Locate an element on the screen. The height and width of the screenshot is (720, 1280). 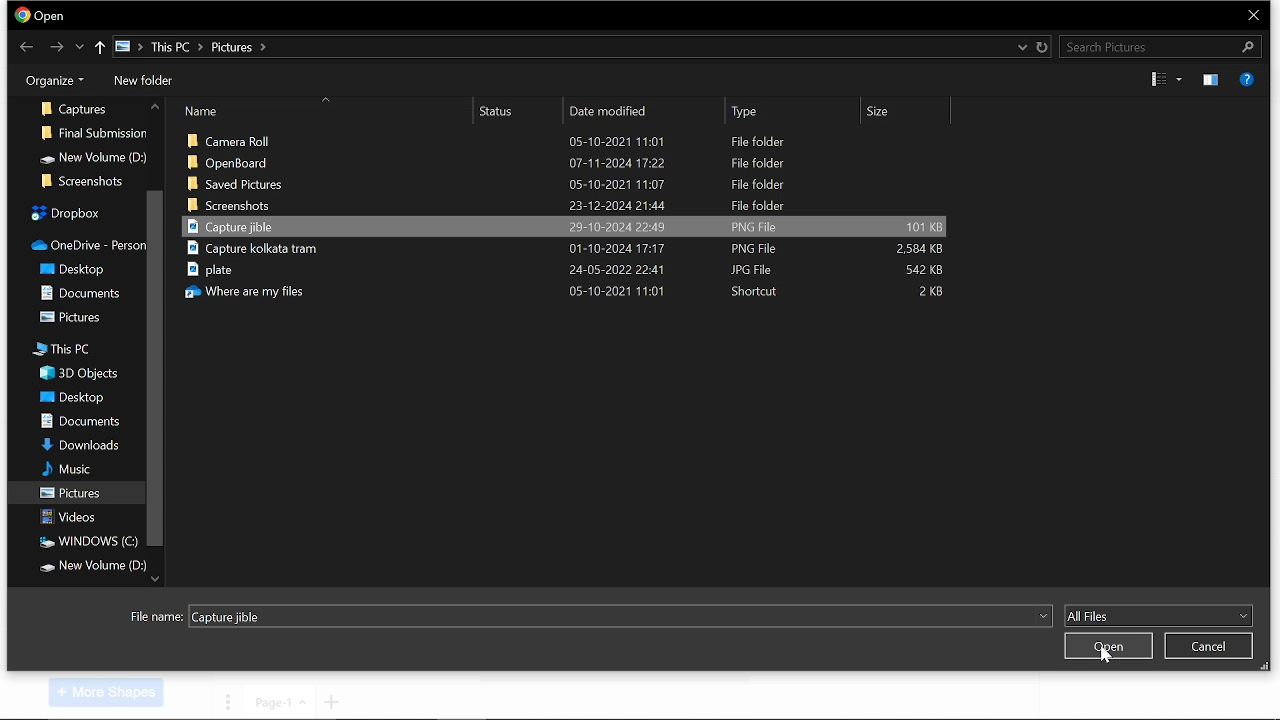
refresh is located at coordinates (1042, 46).